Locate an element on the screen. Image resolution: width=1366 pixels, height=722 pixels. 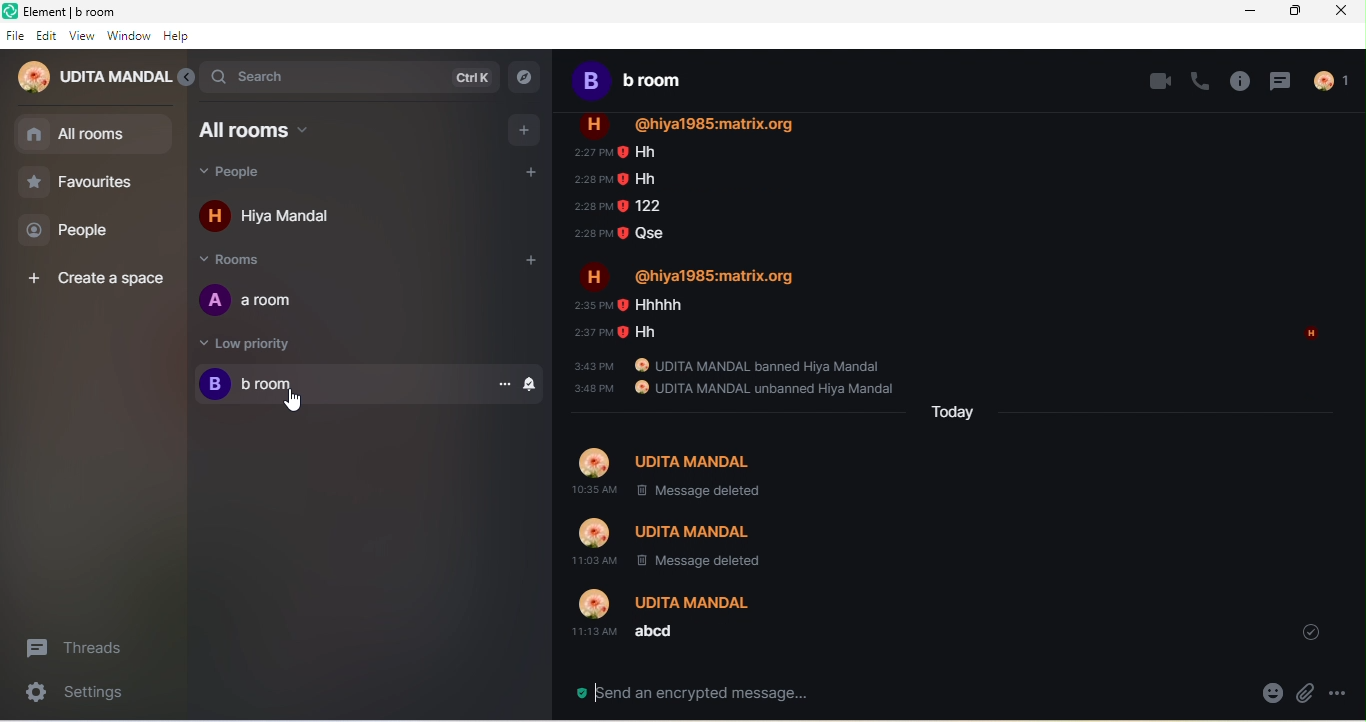
explore is located at coordinates (531, 79).